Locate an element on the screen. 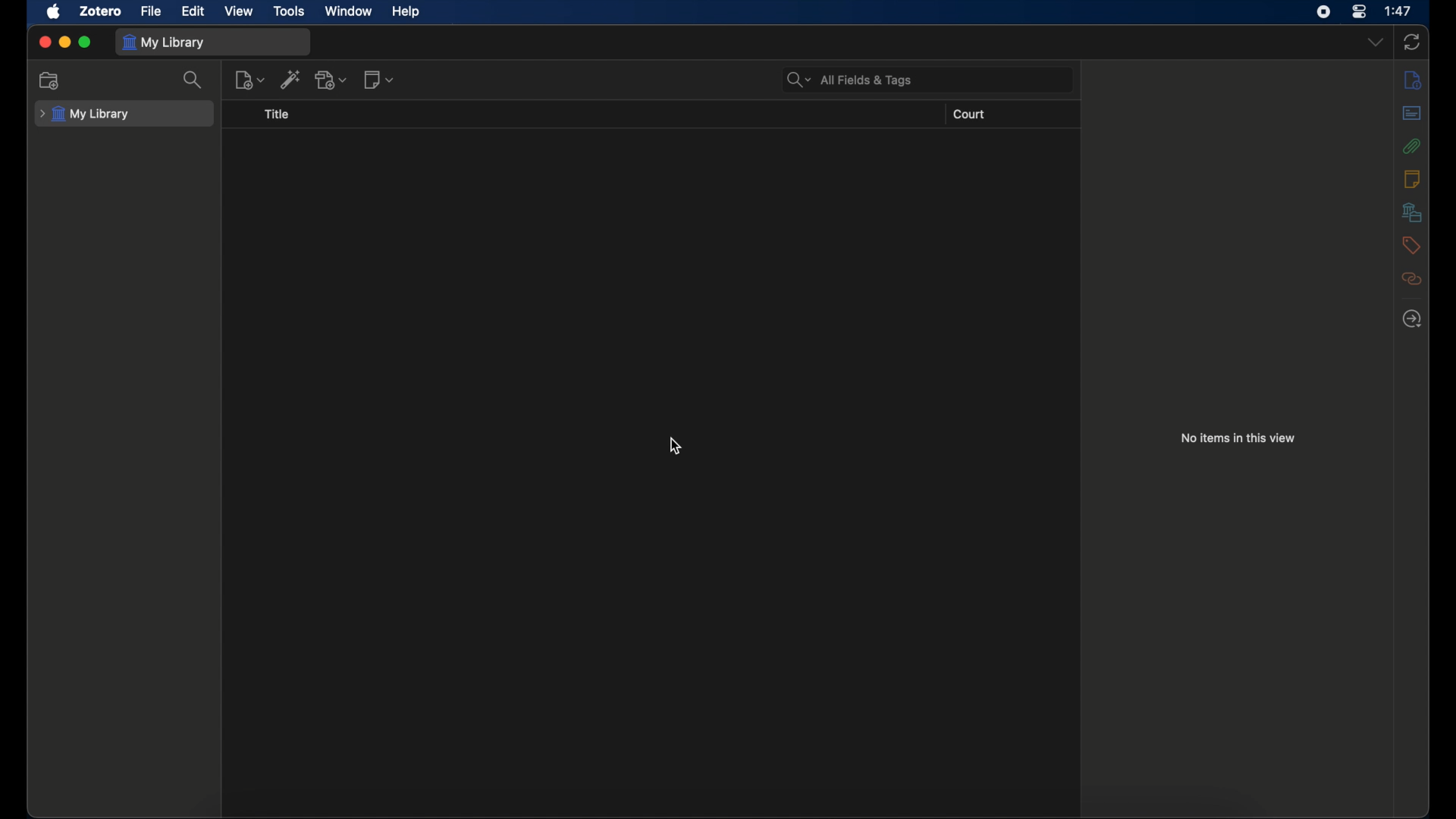  no items in this view is located at coordinates (1238, 438).